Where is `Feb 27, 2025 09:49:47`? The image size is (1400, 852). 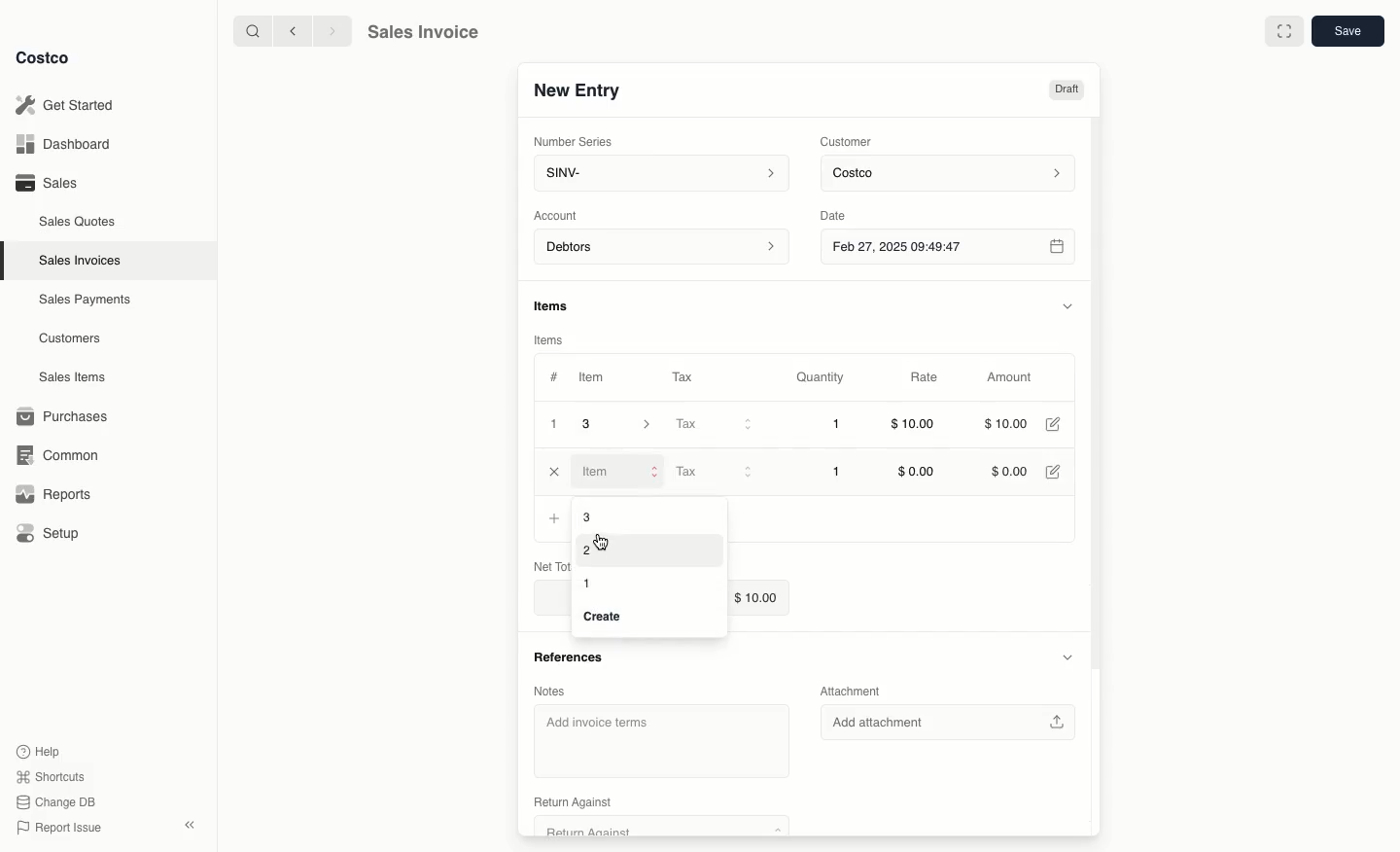
Feb 27, 2025 09:49:47 is located at coordinates (947, 246).